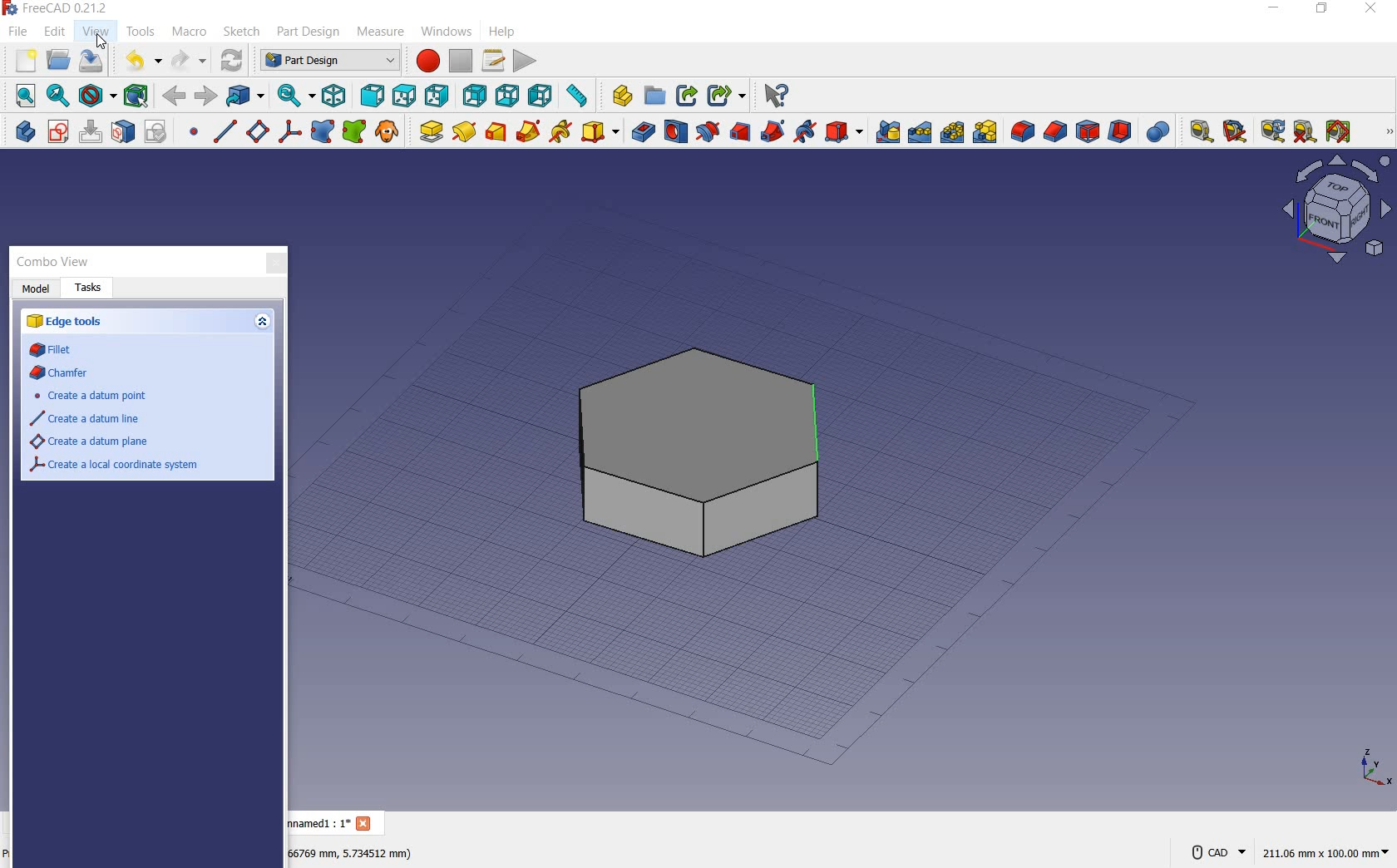  I want to click on linear pattern, so click(920, 133).